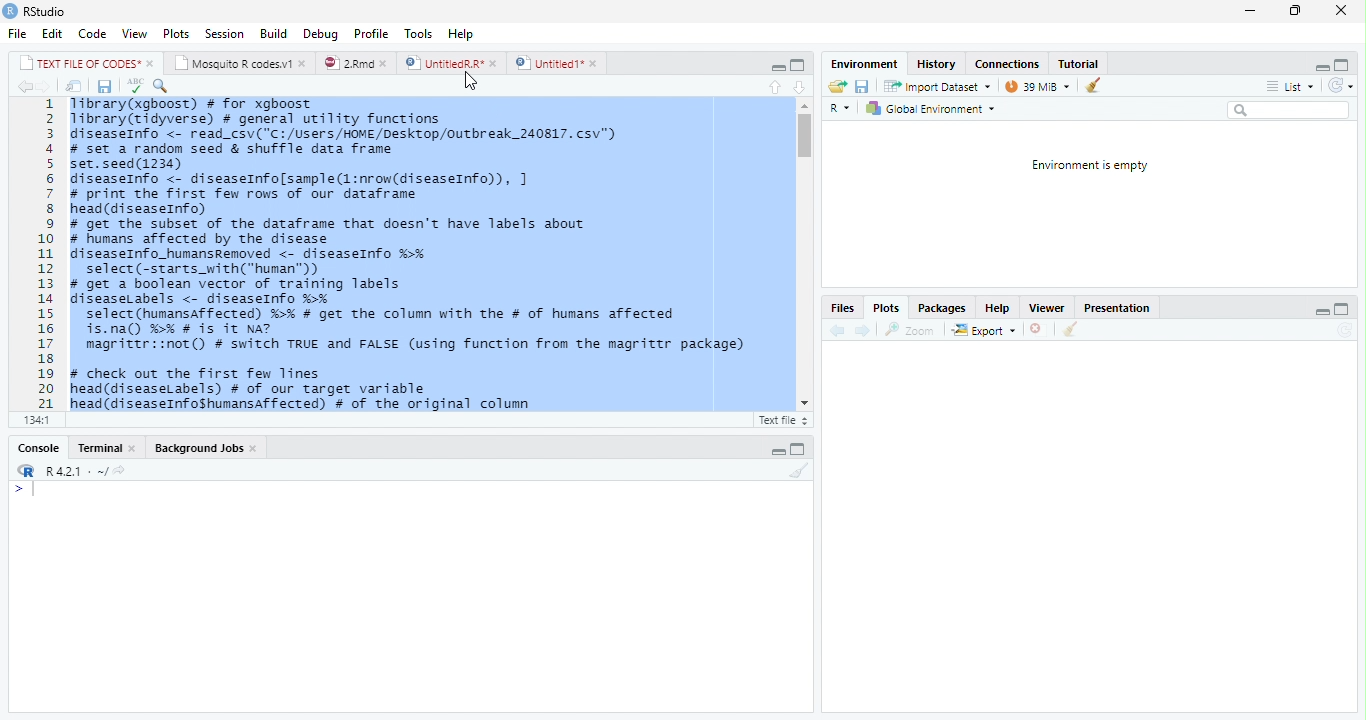 Image resolution: width=1366 pixels, height=720 pixels. I want to click on Next, so click(49, 86).